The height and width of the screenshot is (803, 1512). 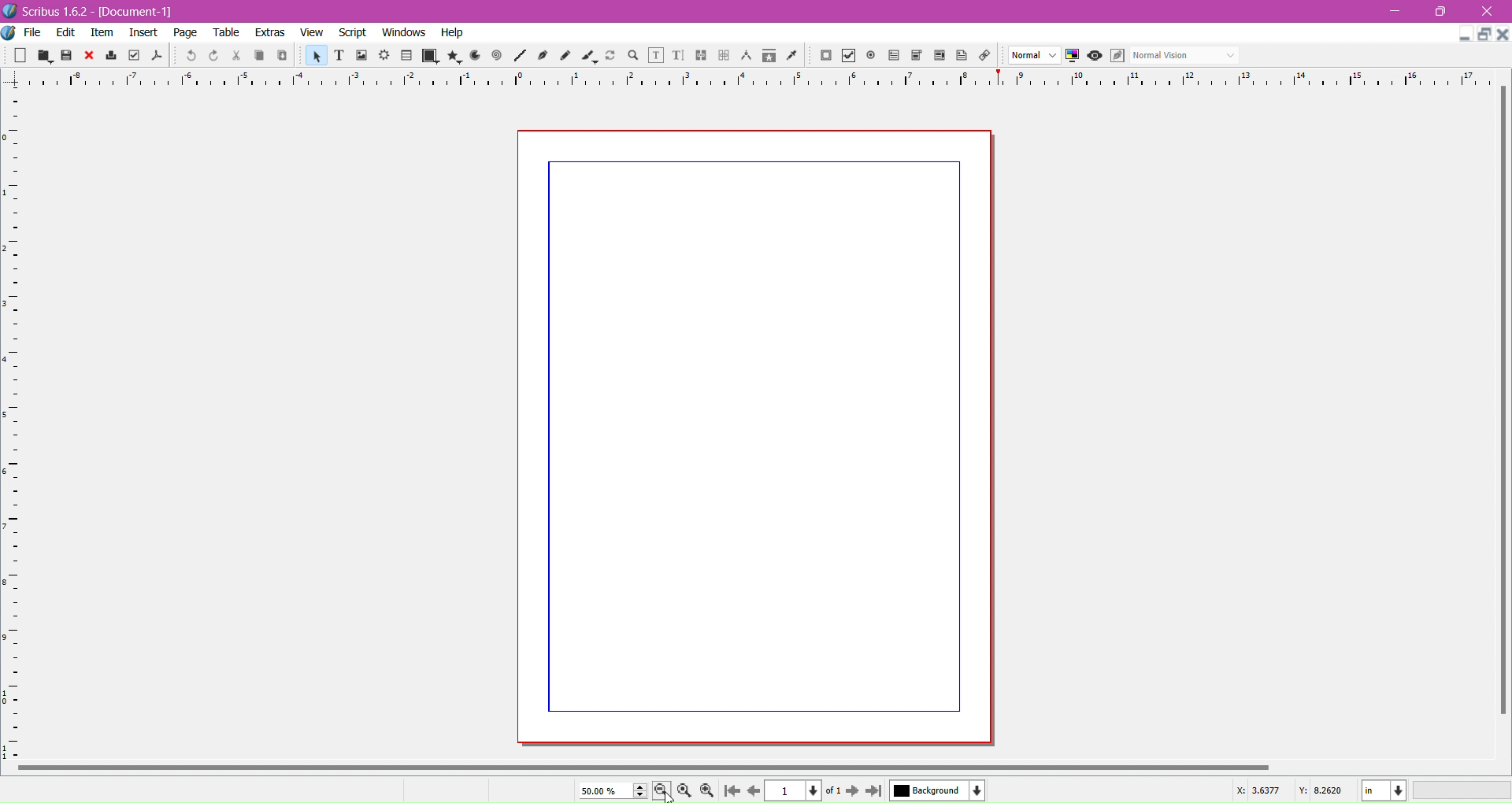 What do you see at coordinates (1499, 409) in the screenshot?
I see `Vertical Scroll Bar` at bounding box center [1499, 409].